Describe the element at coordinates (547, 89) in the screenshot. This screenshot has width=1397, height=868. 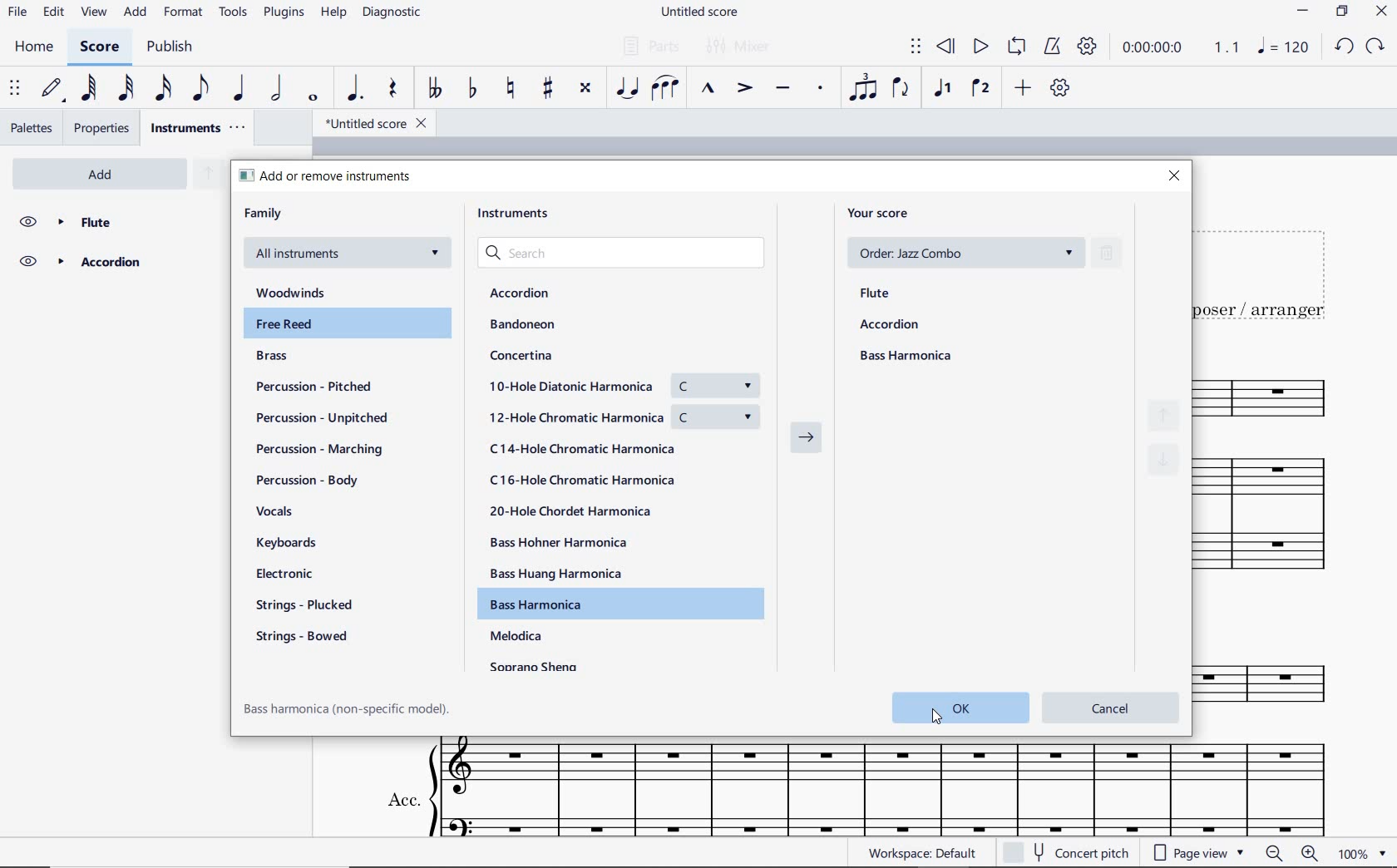
I see `toggle sharp` at that location.